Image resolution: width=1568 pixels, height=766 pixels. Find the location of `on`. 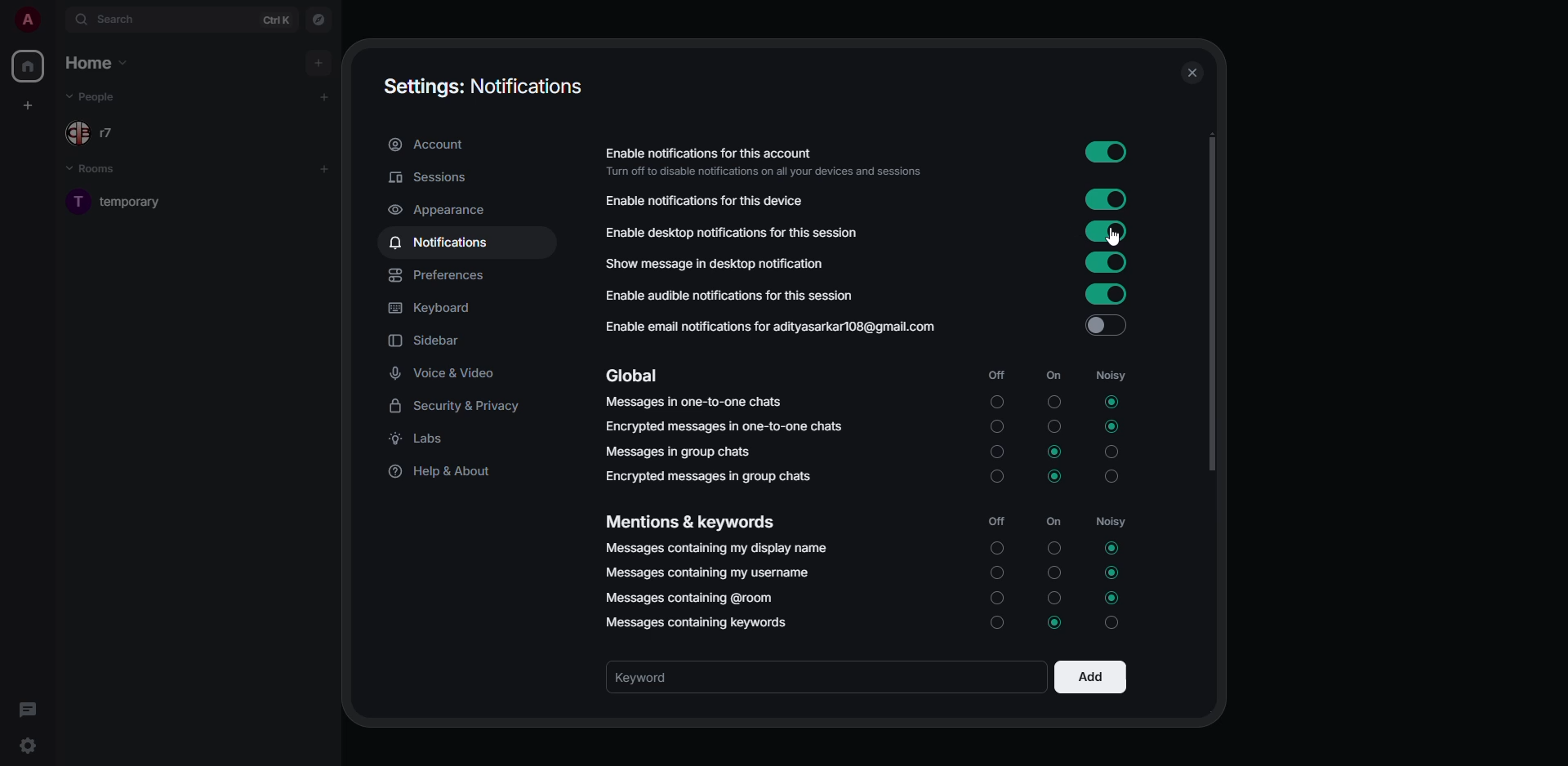

on is located at coordinates (1056, 523).